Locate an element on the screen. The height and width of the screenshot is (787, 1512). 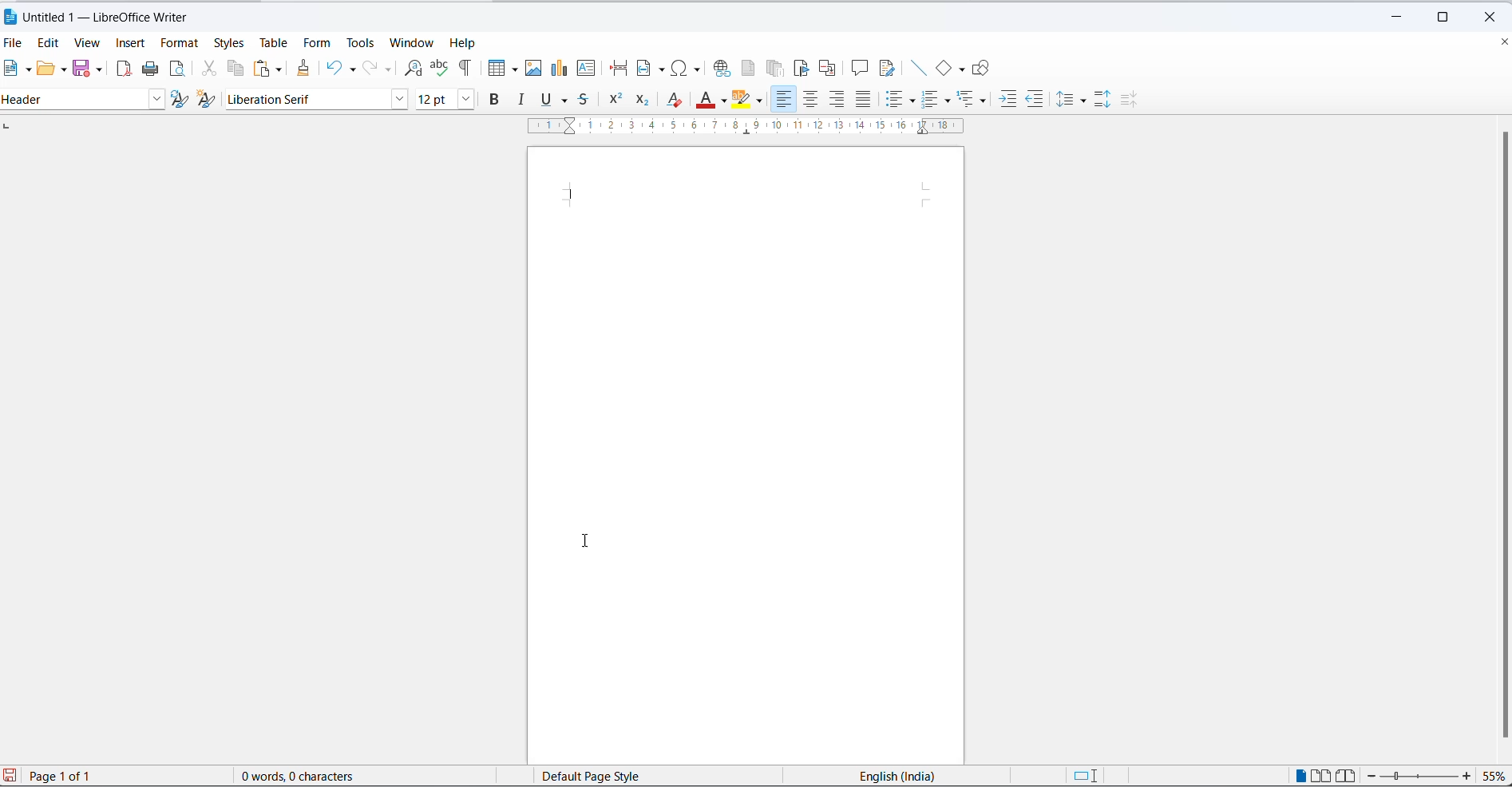
text start is located at coordinates (570, 191).